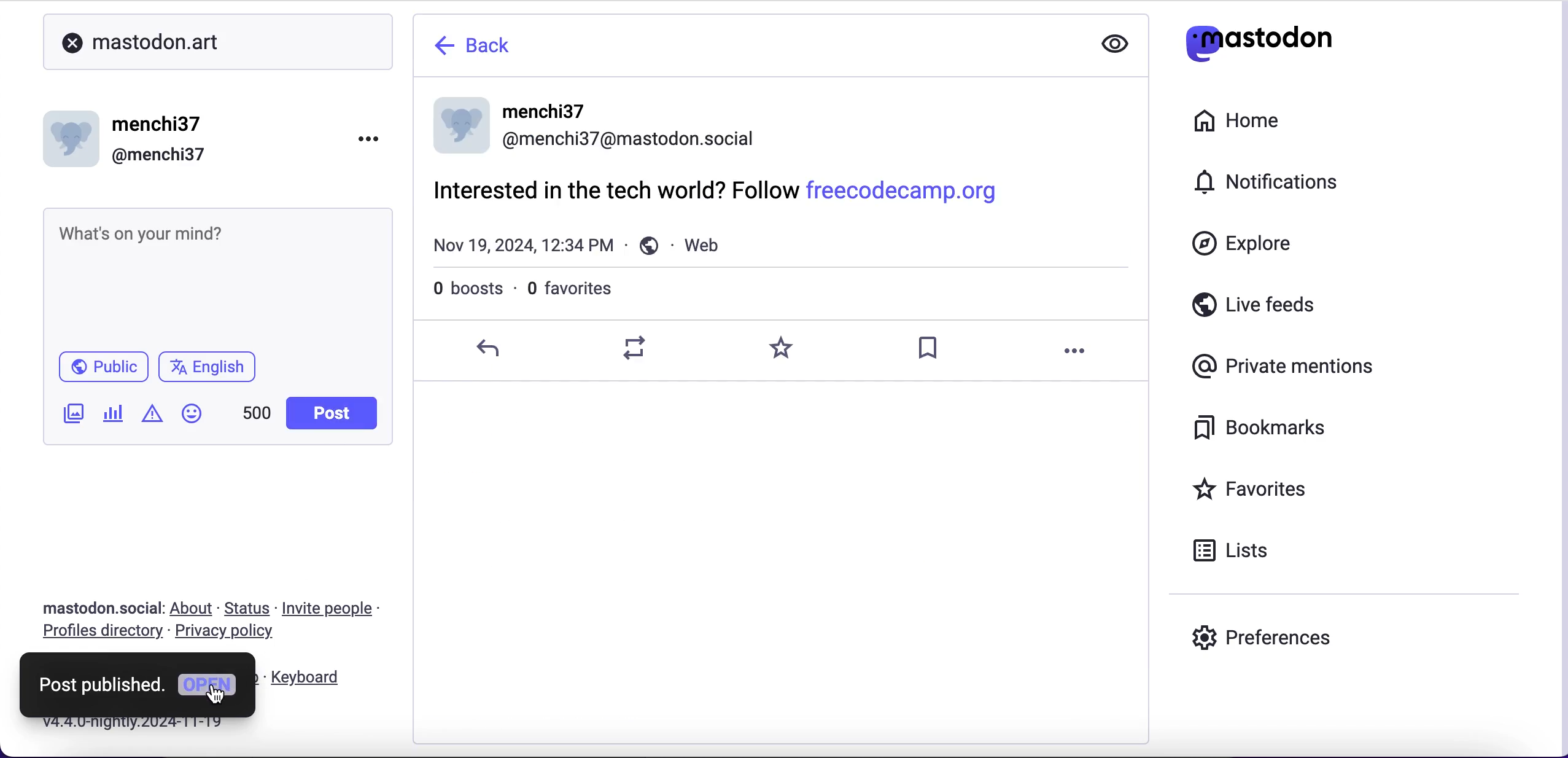  What do you see at coordinates (1257, 43) in the screenshot?
I see `mastodon logo` at bounding box center [1257, 43].